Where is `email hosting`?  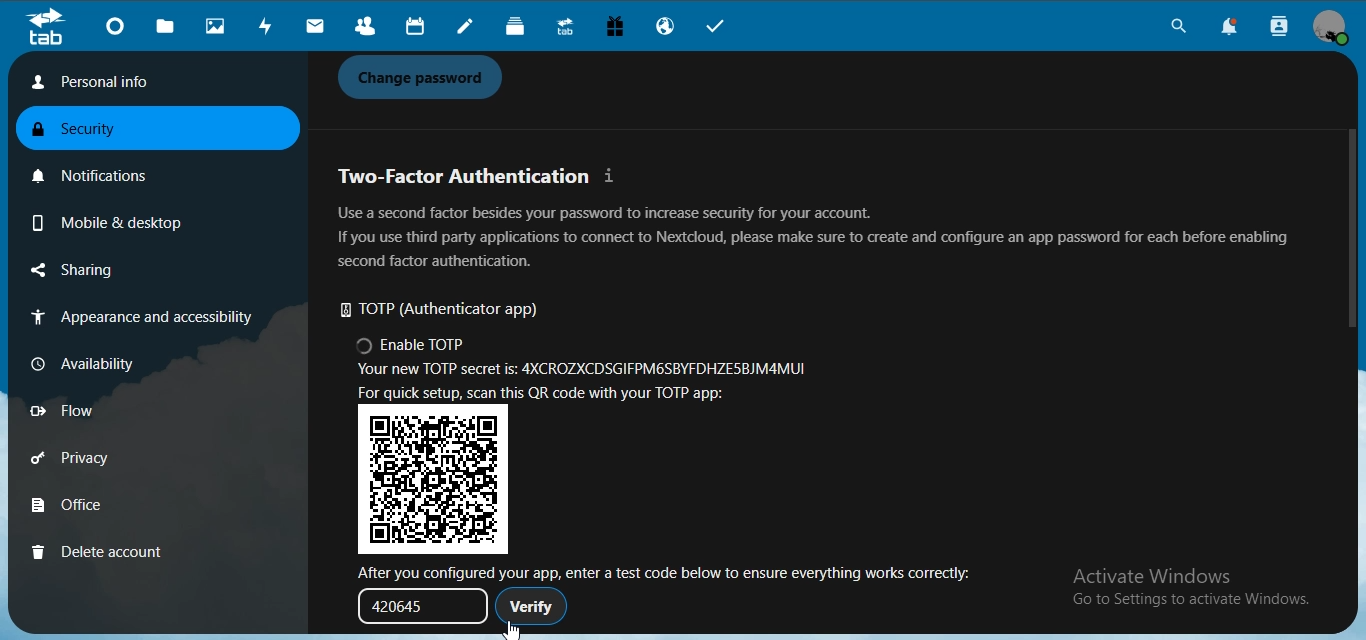
email hosting is located at coordinates (668, 28).